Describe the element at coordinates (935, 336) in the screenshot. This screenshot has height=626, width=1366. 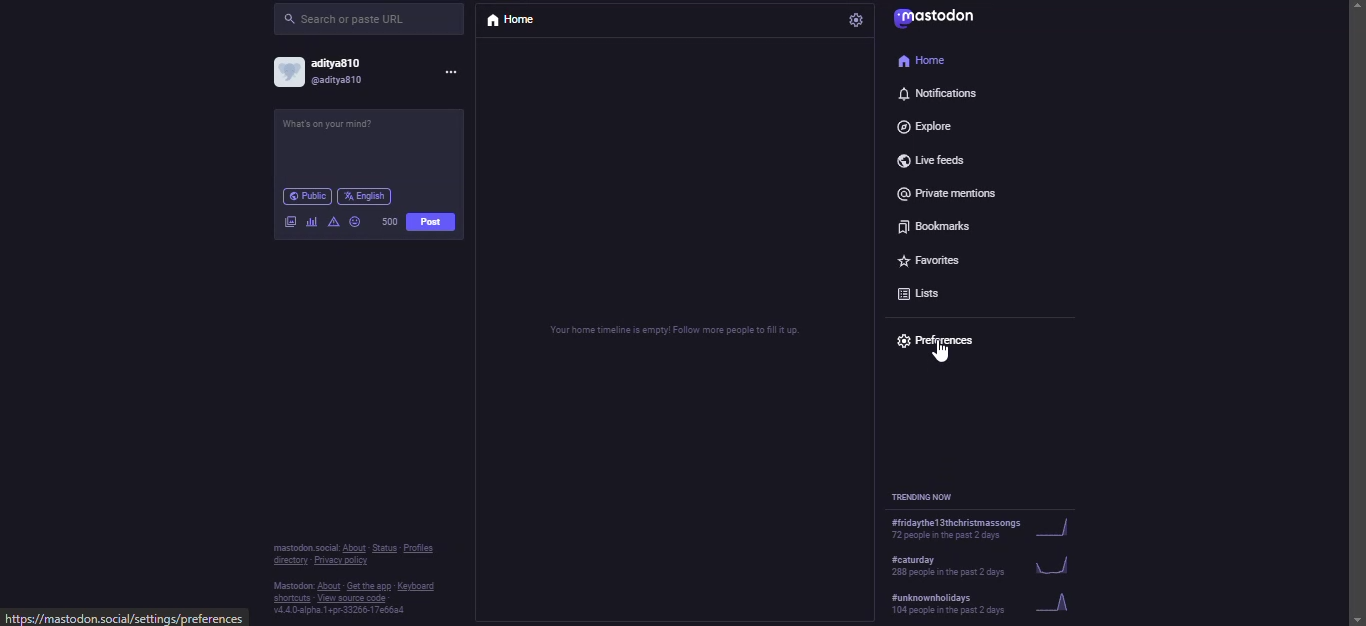
I see `preferences` at that location.